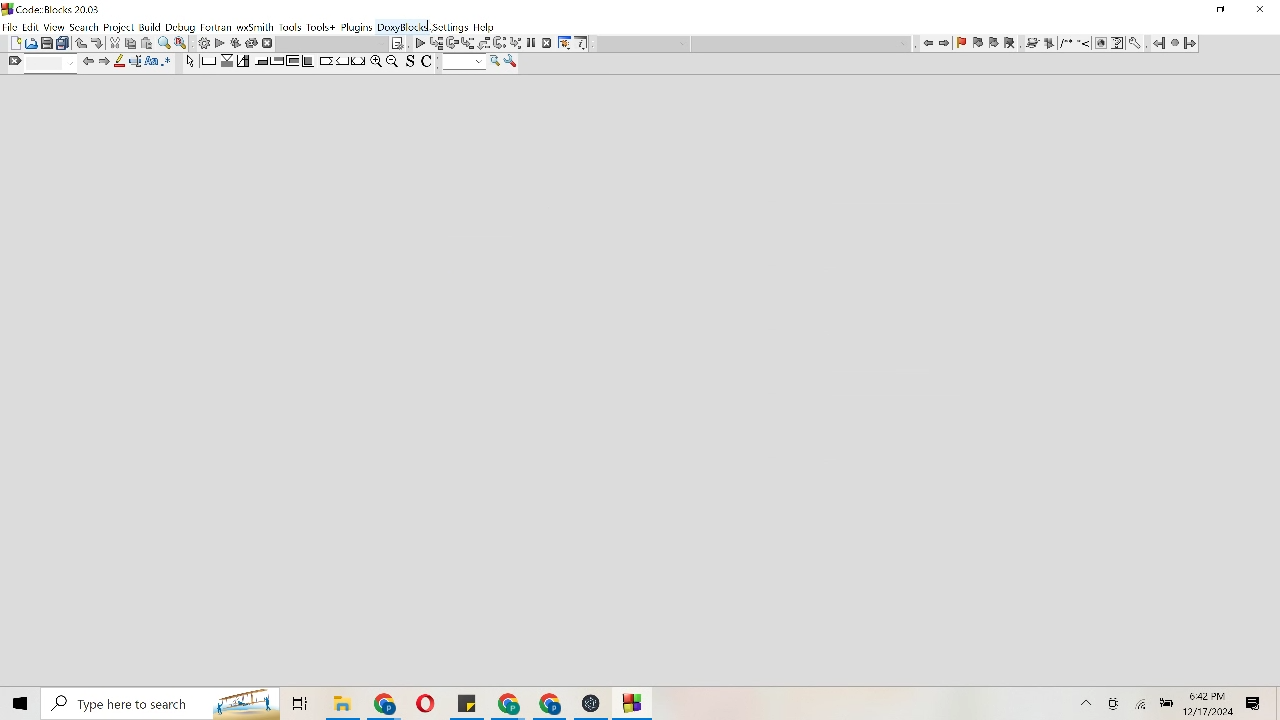 Image resolution: width=1280 pixels, height=720 pixels. Describe the element at coordinates (268, 43) in the screenshot. I see `Cancel` at that location.